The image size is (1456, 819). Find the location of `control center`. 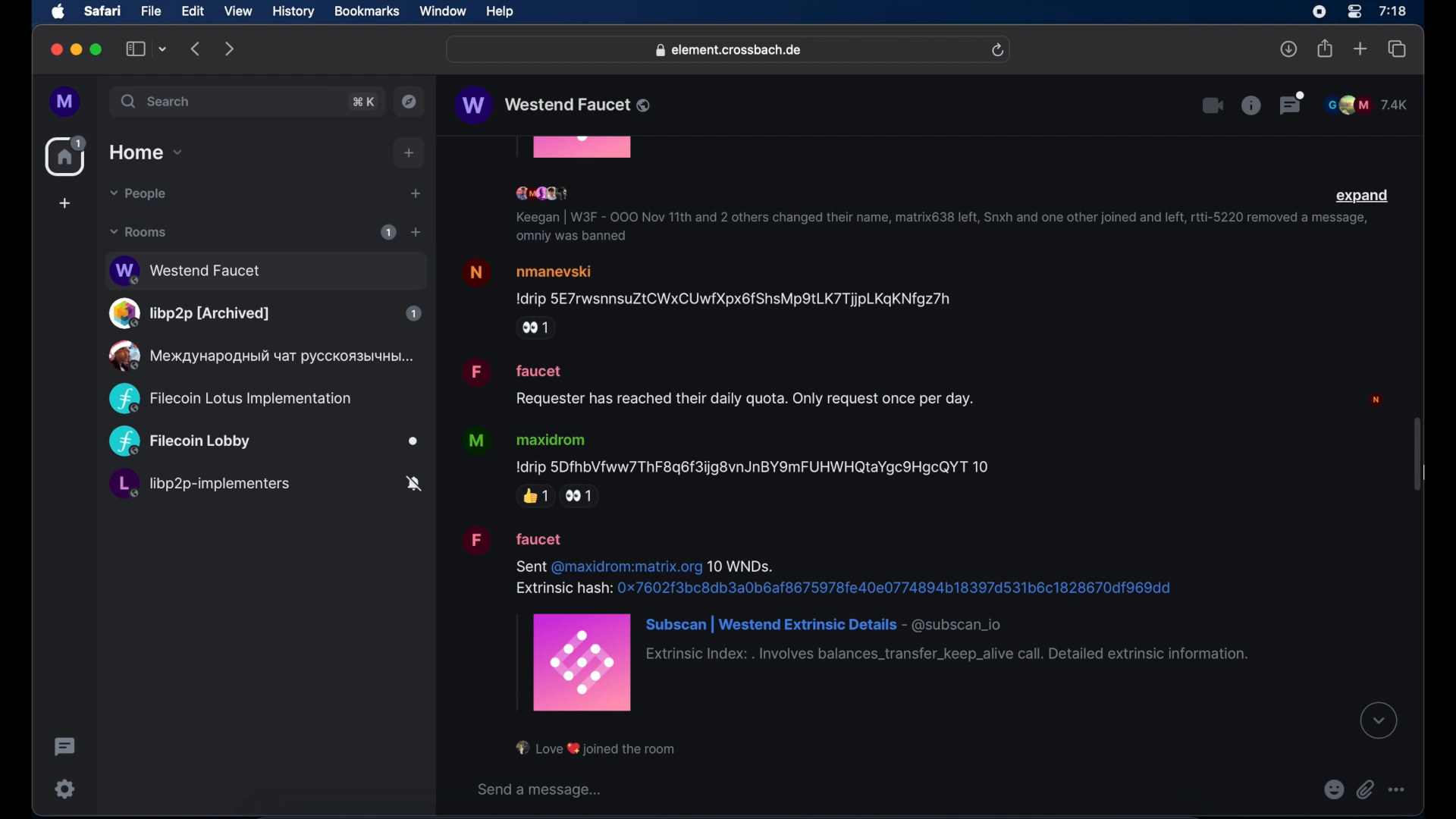

control center is located at coordinates (1353, 12).